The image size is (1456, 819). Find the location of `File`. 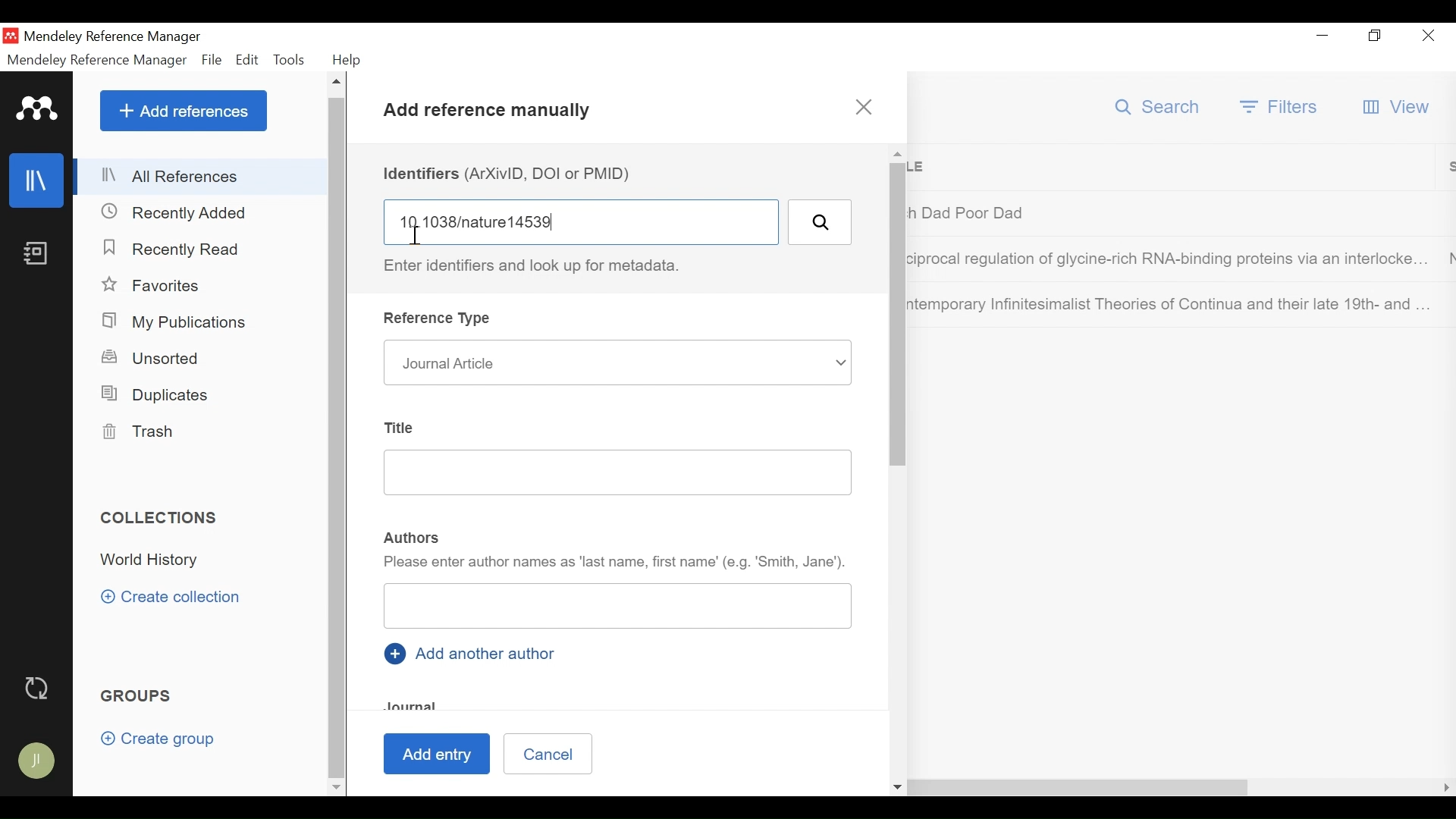

File is located at coordinates (212, 60).